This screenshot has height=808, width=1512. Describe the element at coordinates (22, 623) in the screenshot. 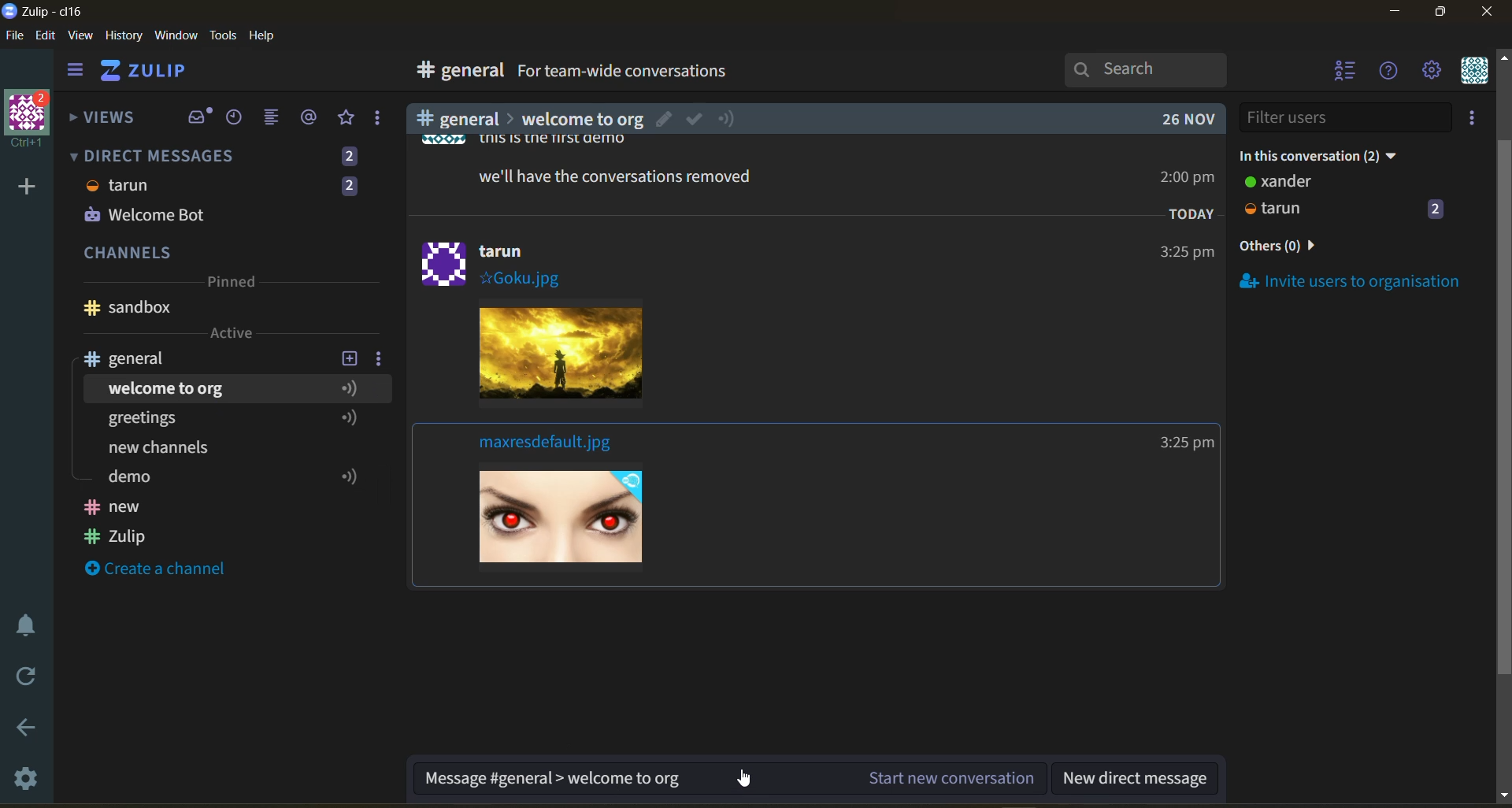

I see `enable do not disturb` at that location.